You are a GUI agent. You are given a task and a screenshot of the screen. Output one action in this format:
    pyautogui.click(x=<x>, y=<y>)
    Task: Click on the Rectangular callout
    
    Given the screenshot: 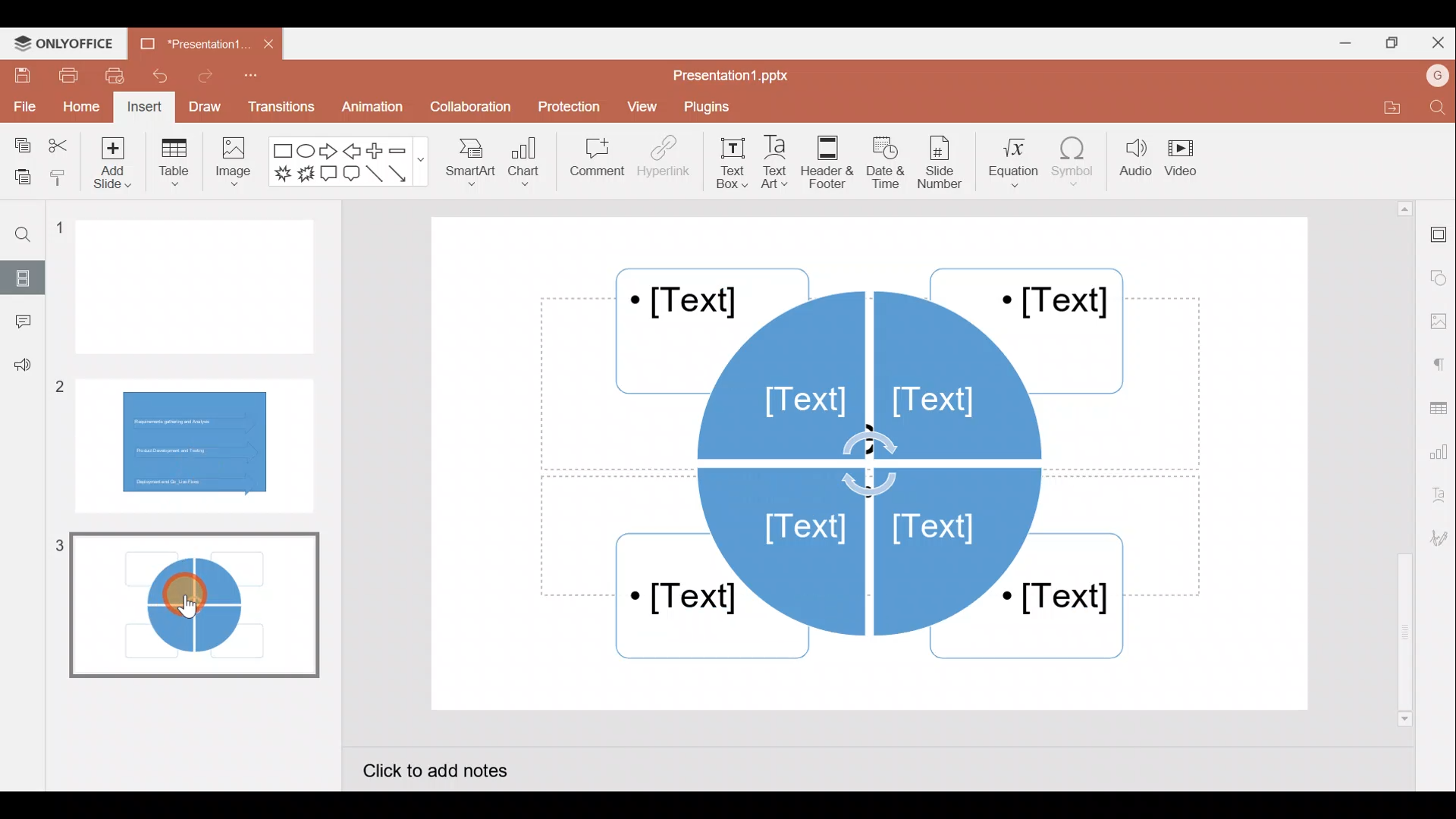 What is the action you would take?
    pyautogui.click(x=328, y=173)
    